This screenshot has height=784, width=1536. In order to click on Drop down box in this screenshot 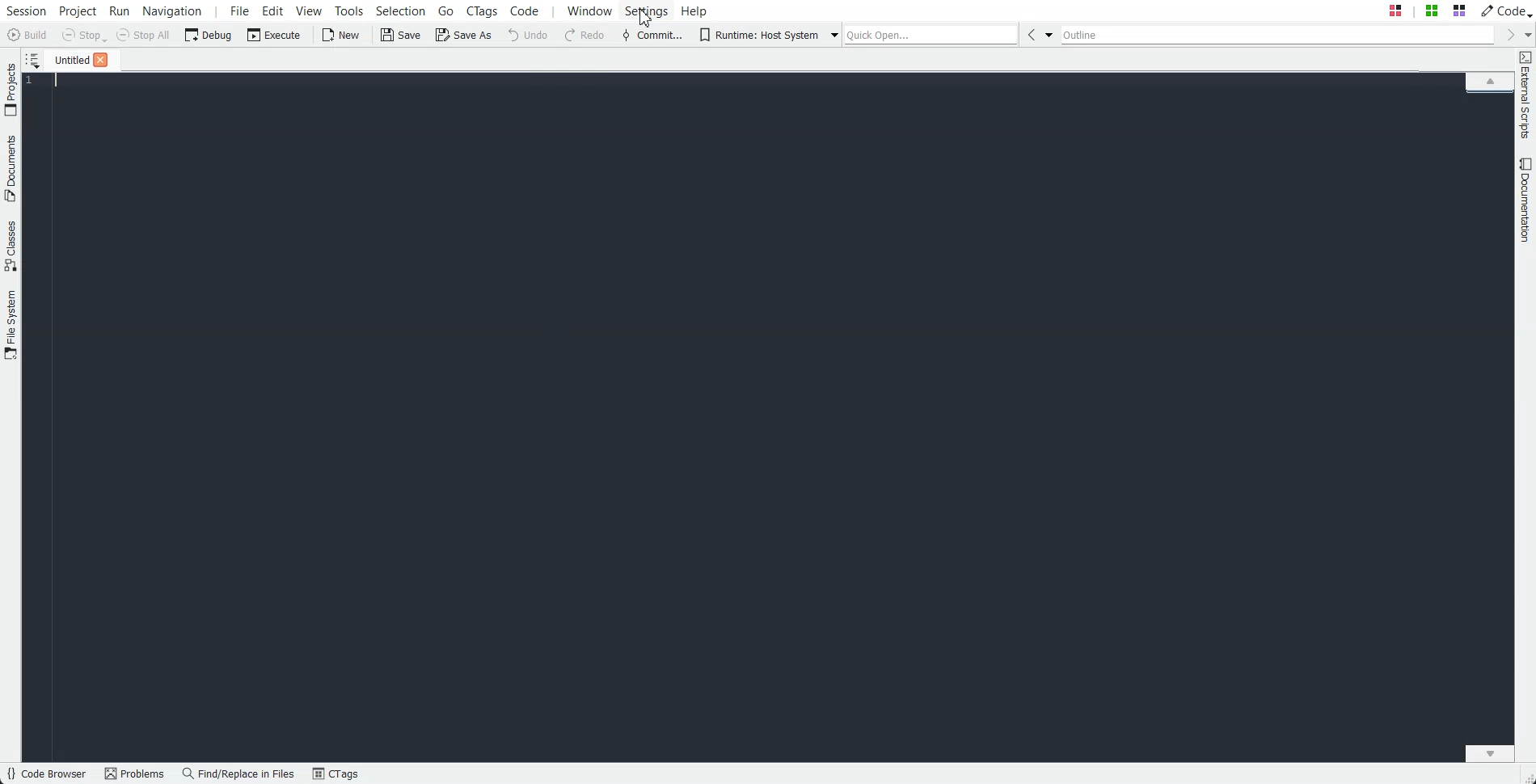, I will do `click(830, 34)`.